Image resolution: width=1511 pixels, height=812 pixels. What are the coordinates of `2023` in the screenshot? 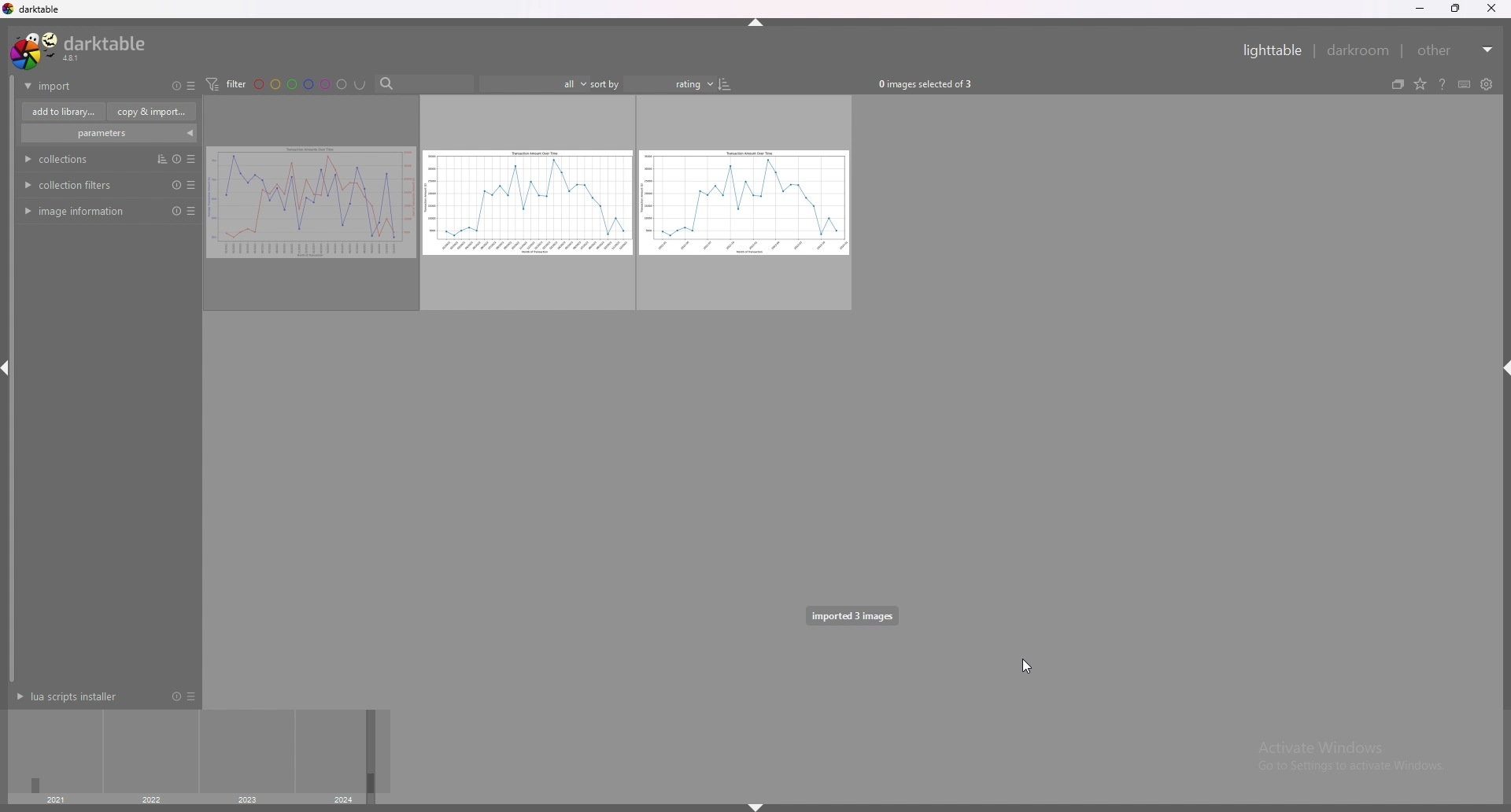 It's located at (249, 801).